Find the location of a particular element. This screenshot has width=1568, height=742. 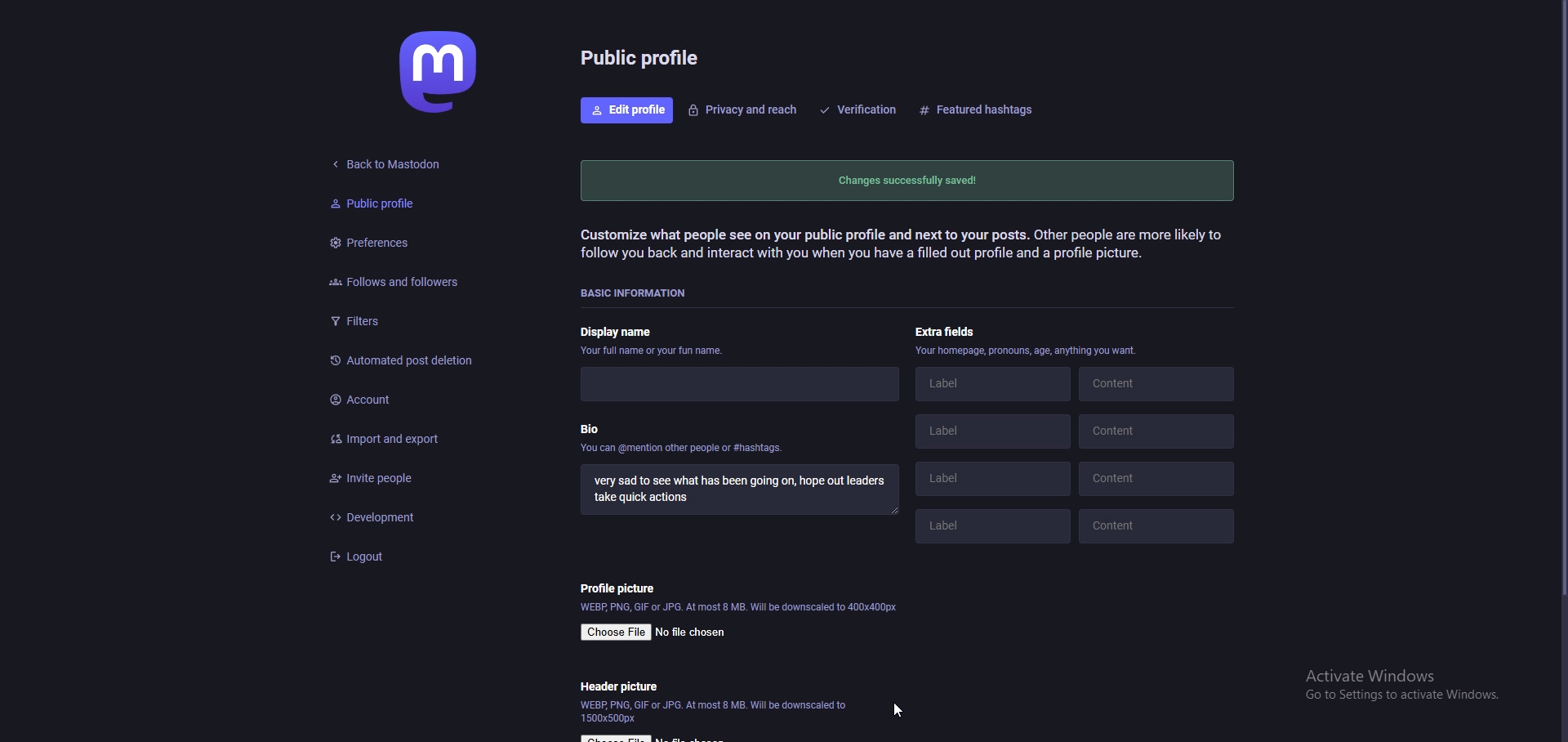

your full name or fun name is located at coordinates (636, 352).